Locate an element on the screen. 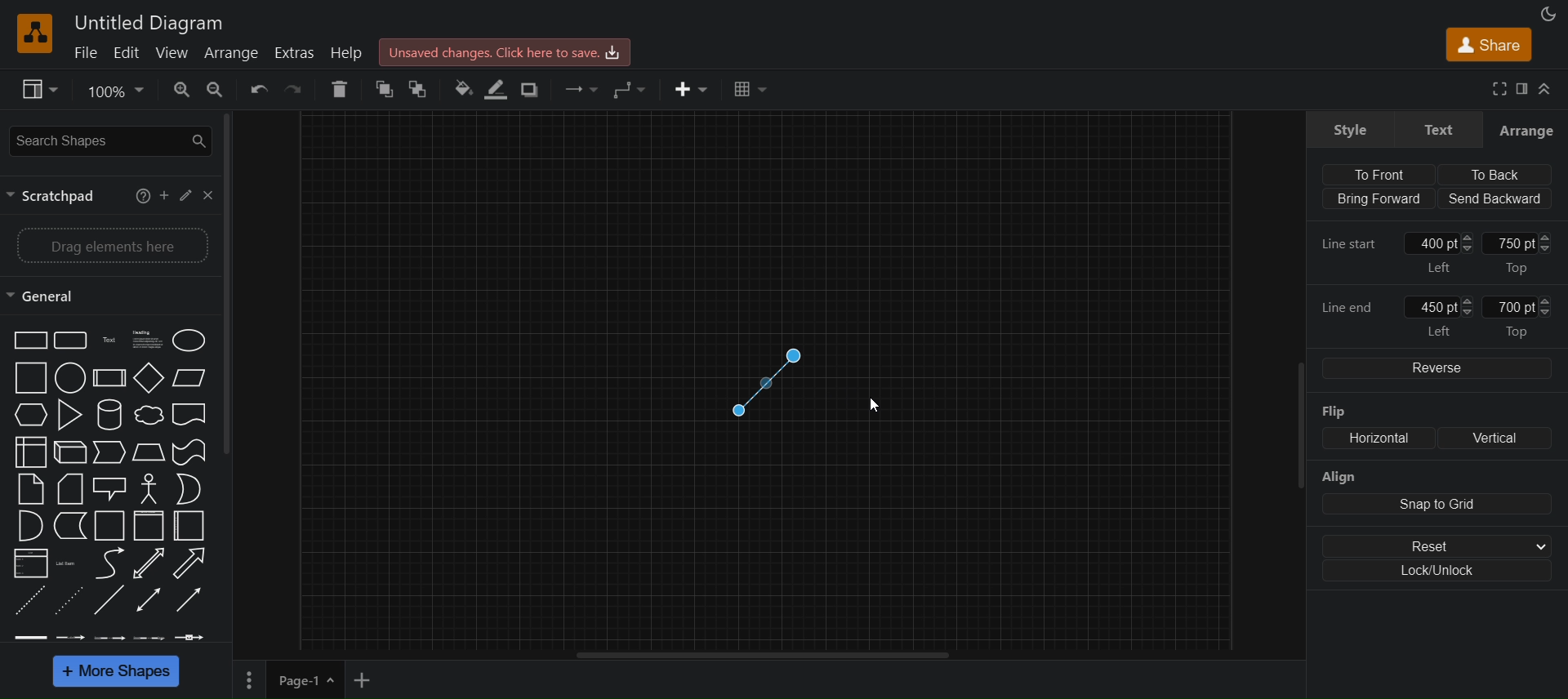 The image size is (1568, 699). Curved line is located at coordinates (106, 563).